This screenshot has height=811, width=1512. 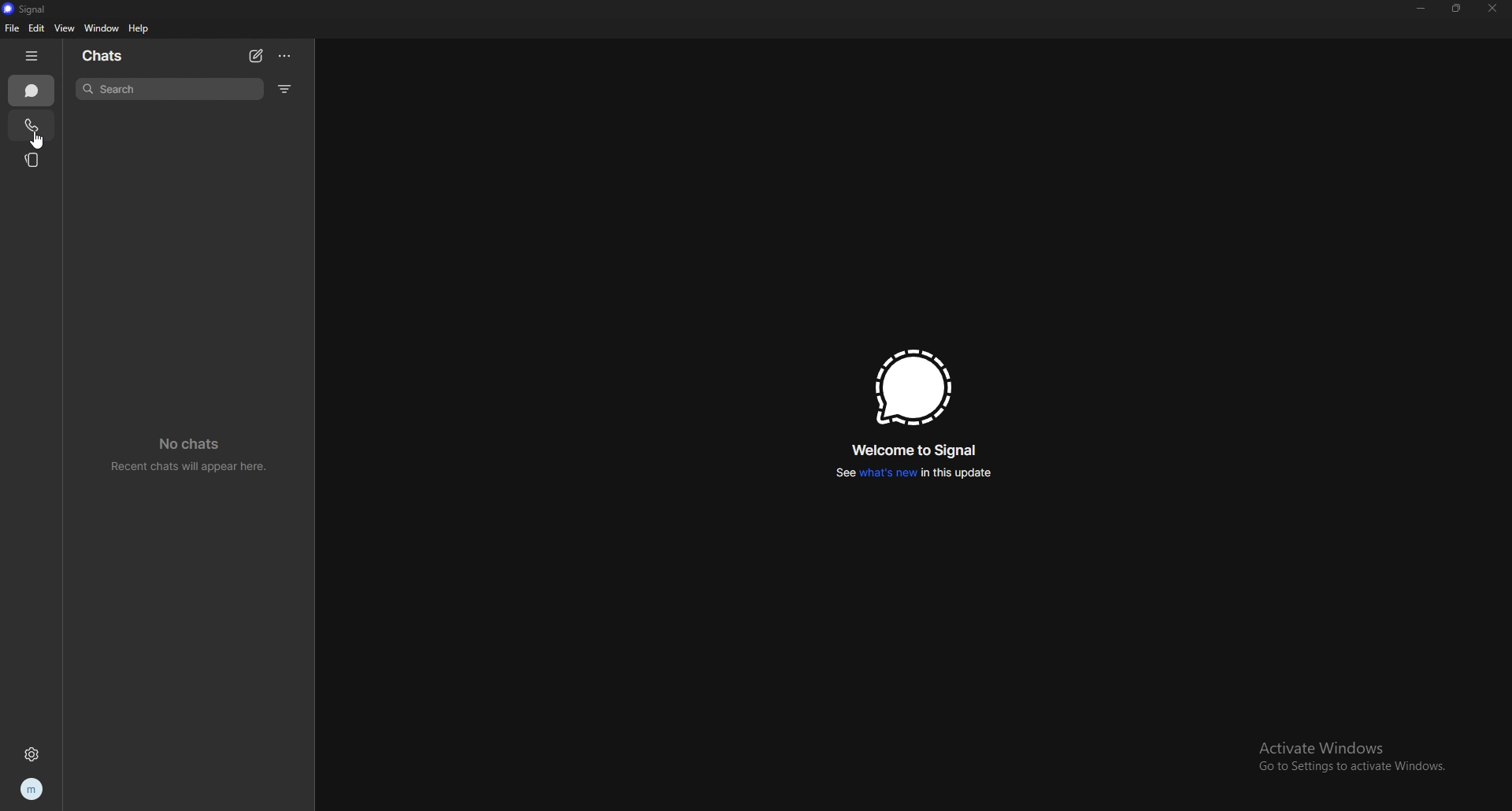 I want to click on profile, so click(x=31, y=790).